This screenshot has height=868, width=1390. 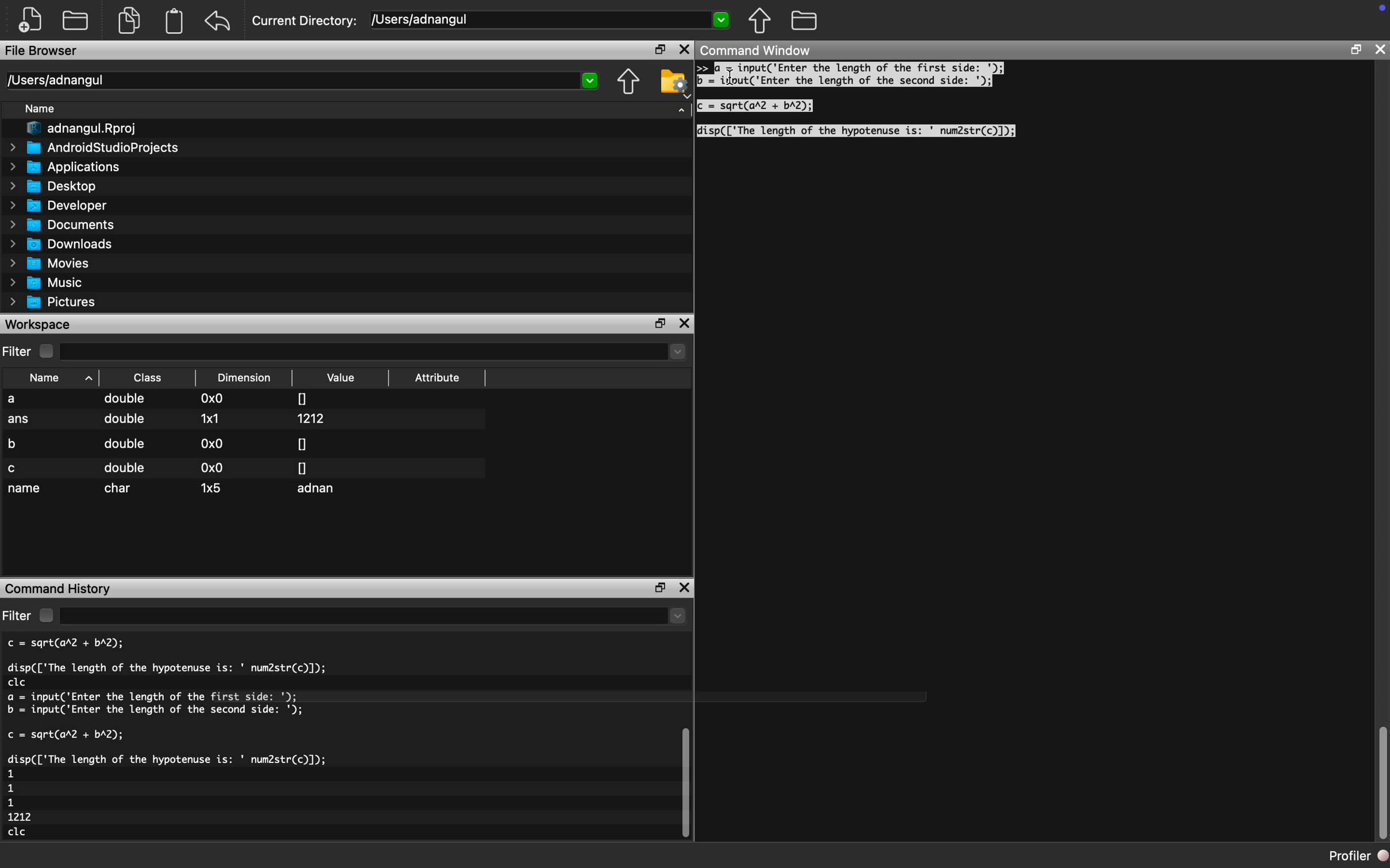 What do you see at coordinates (128, 19) in the screenshot?
I see `documents` at bounding box center [128, 19].